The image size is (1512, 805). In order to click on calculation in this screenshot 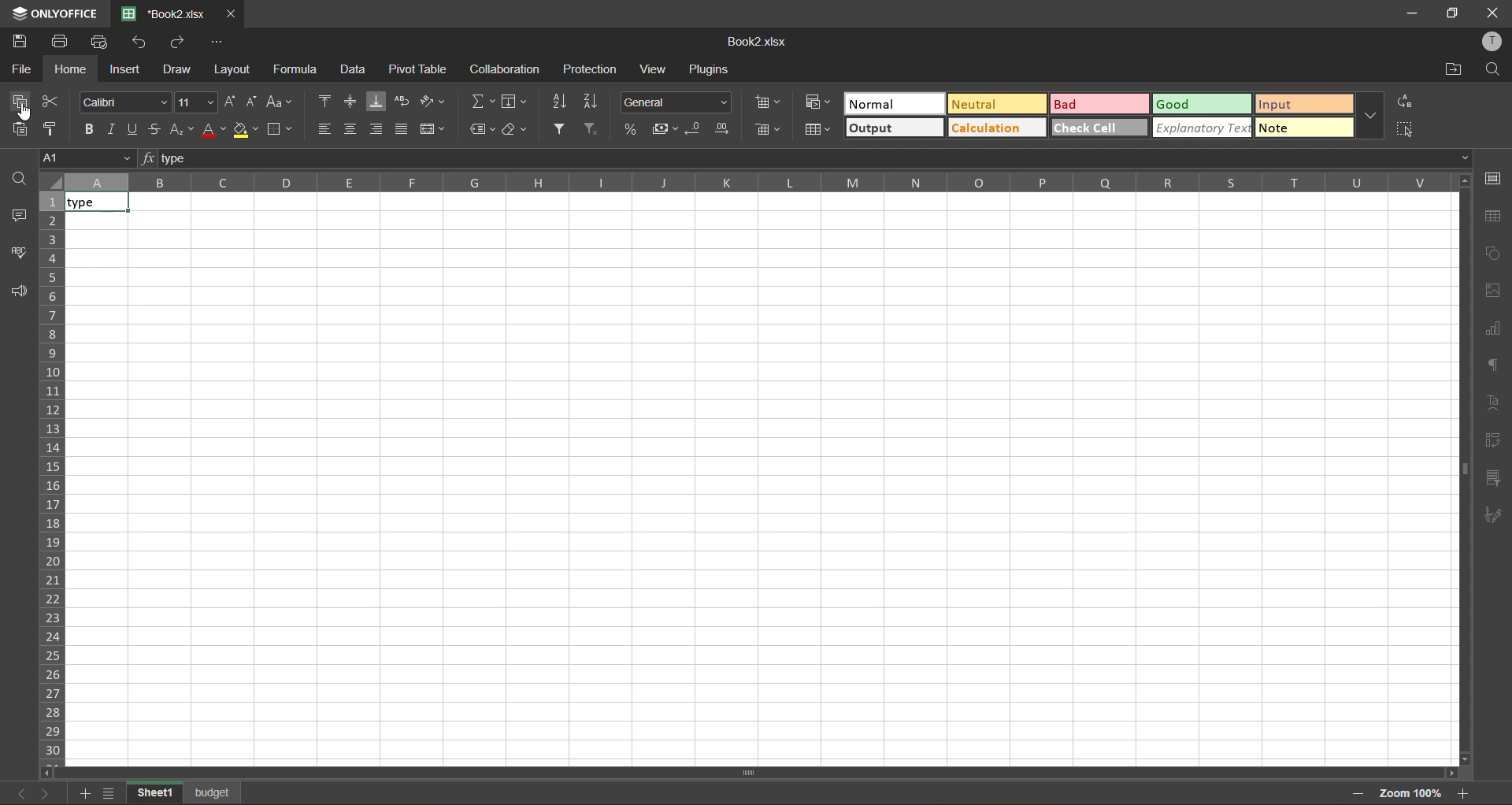, I will do `click(994, 128)`.